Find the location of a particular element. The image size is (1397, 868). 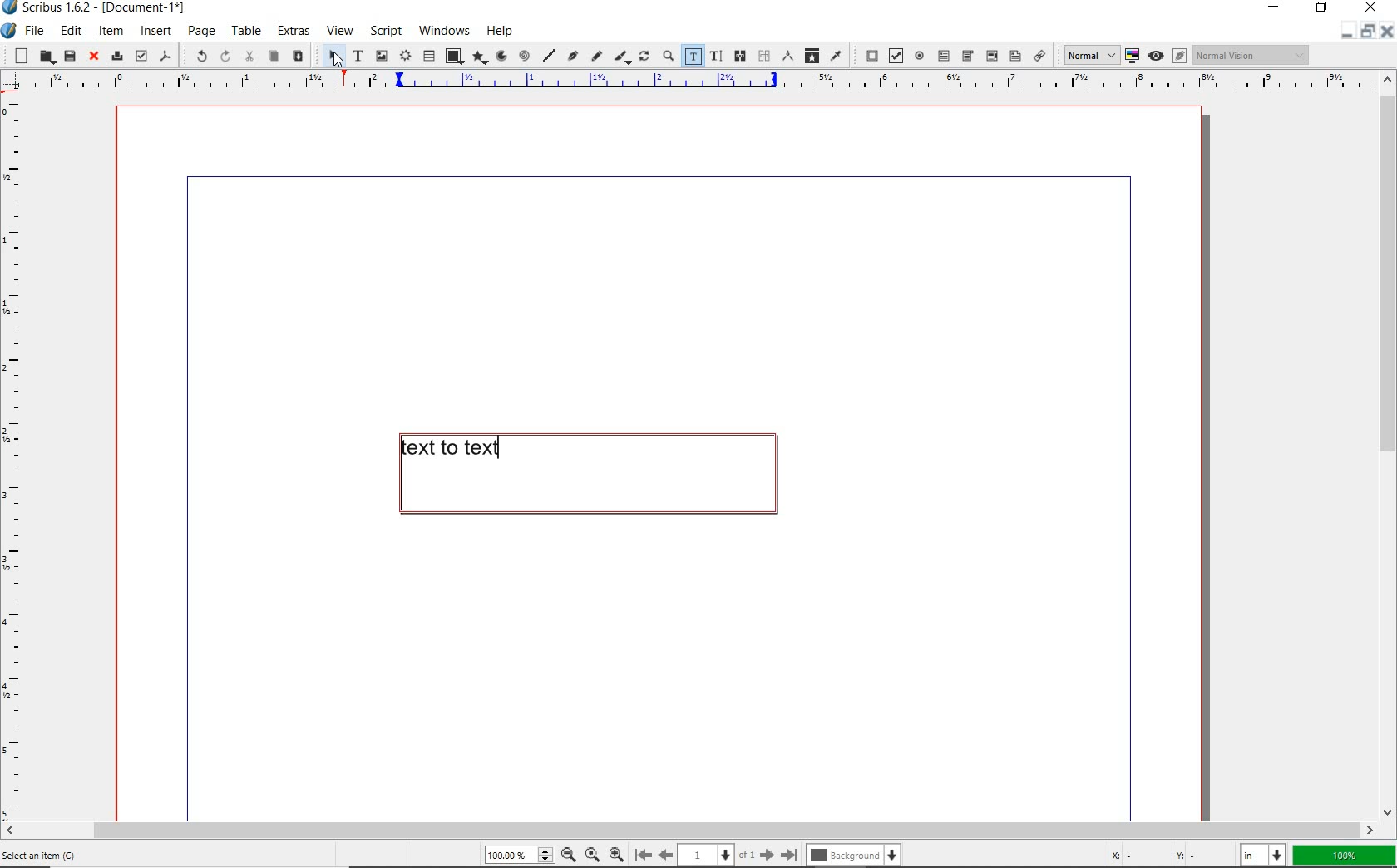

script is located at coordinates (383, 32).